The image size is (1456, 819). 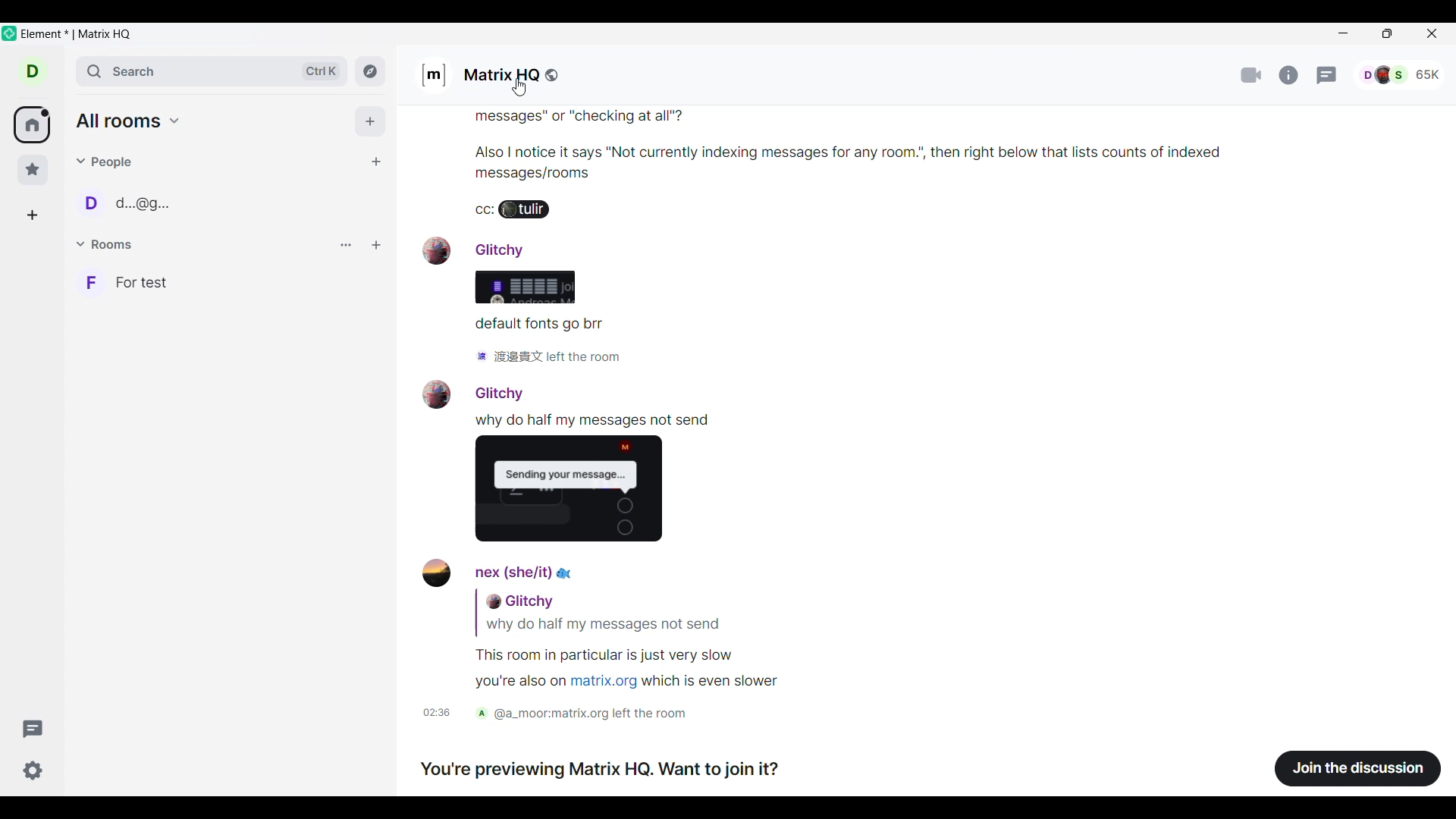 What do you see at coordinates (481, 212) in the screenshot?
I see `cc` at bounding box center [481, 212].